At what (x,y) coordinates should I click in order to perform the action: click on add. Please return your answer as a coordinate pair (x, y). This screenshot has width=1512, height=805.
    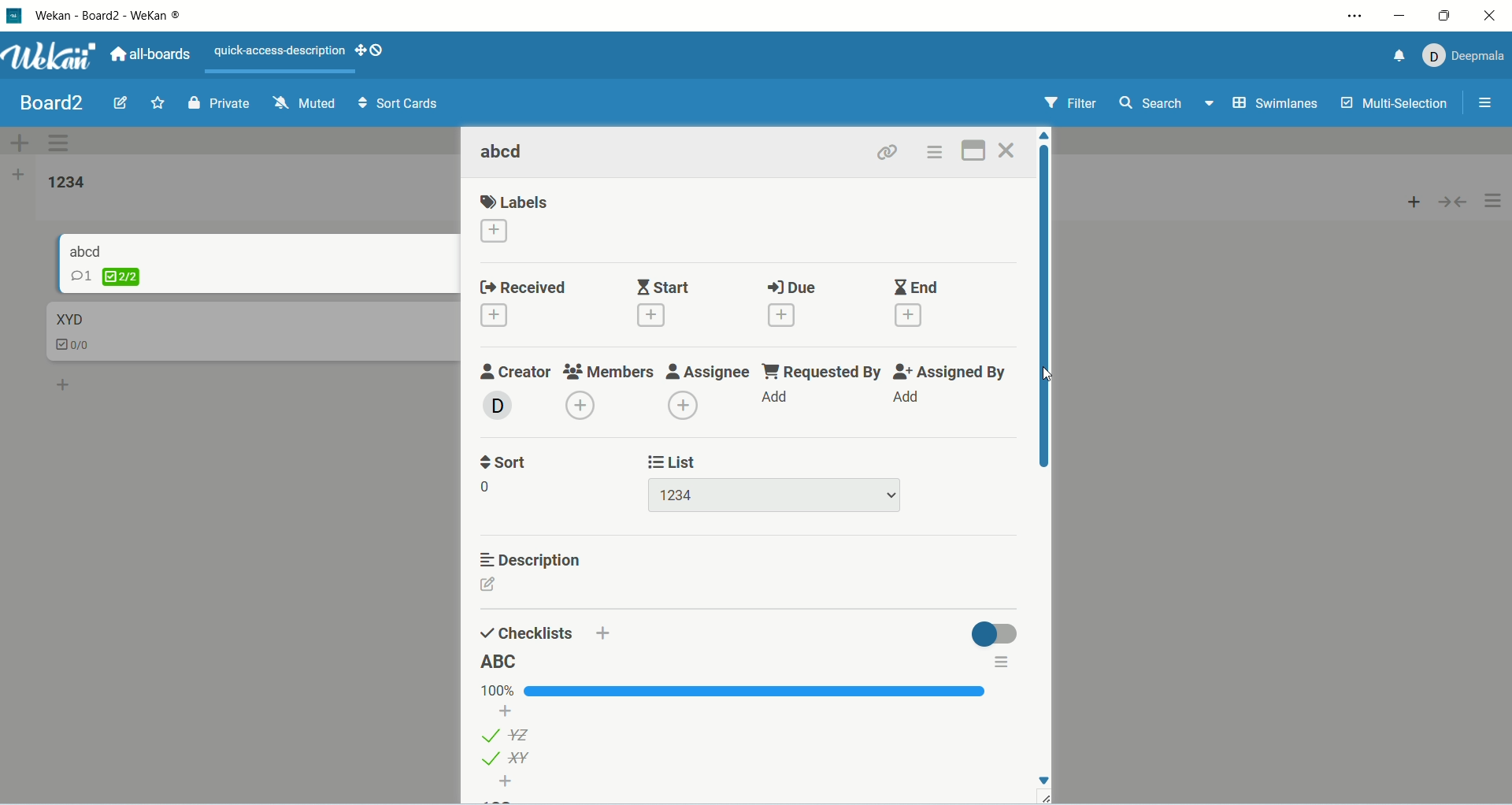
    Looking at the image, I should click on (606, 632).